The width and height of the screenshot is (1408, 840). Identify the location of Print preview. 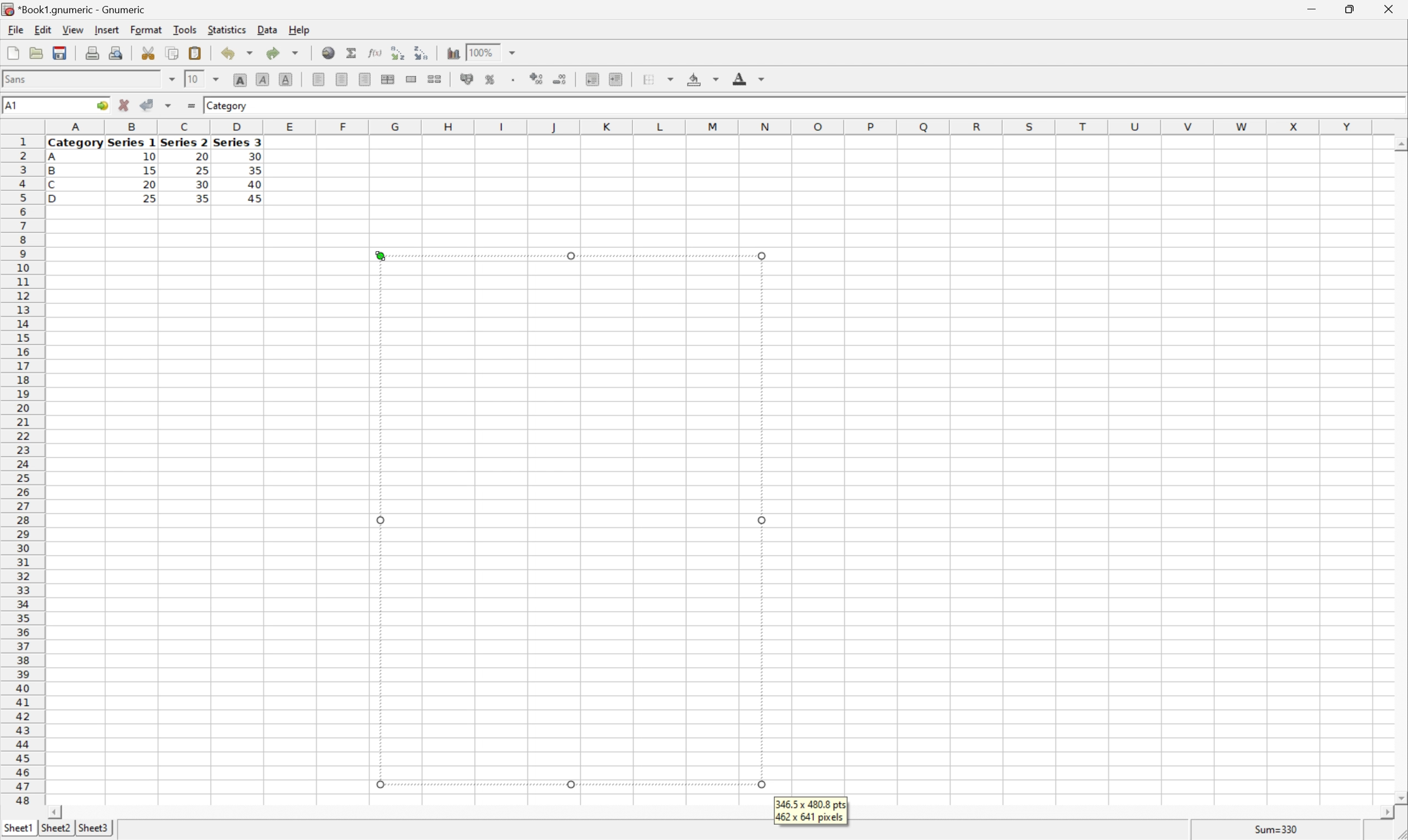
(117, 53).